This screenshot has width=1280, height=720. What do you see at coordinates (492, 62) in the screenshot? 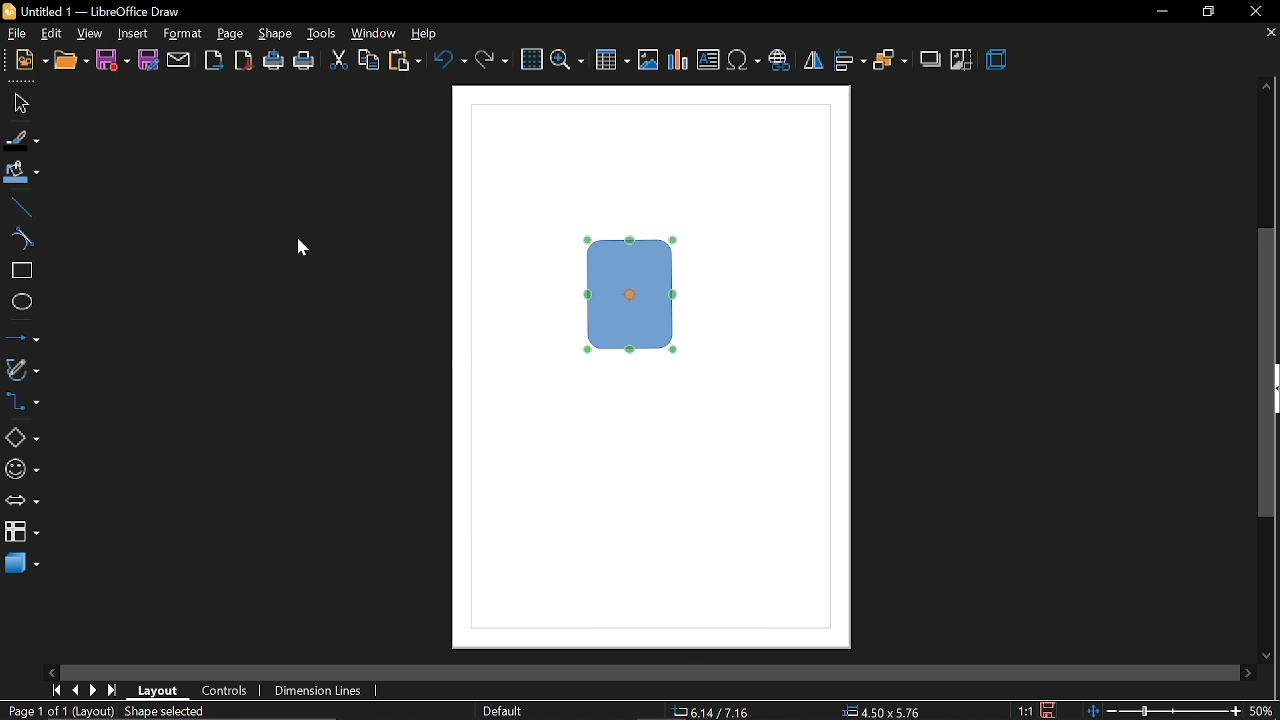
I see `redo` at bounding box center [492, 62].